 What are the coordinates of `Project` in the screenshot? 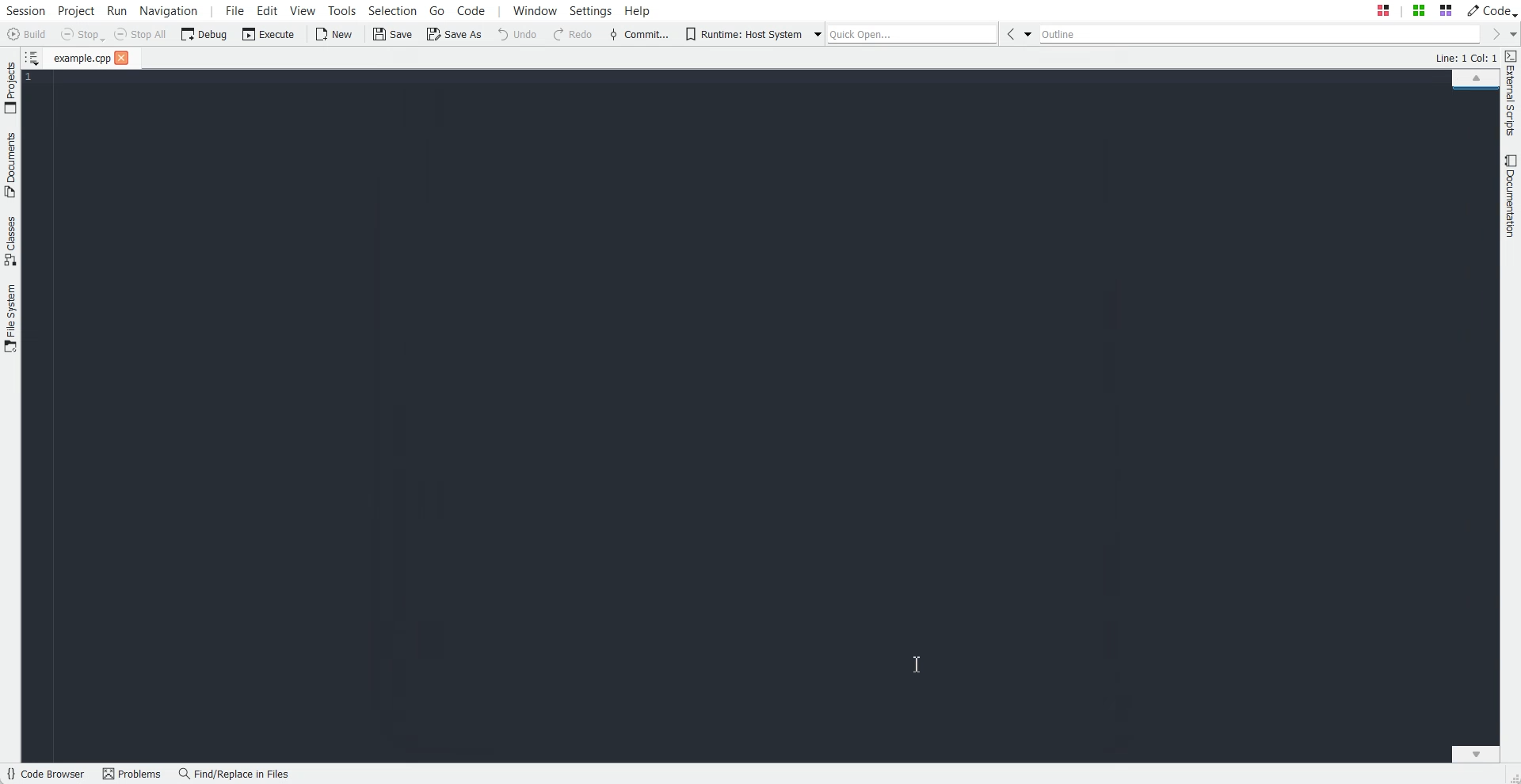 It's located at (75, 10).